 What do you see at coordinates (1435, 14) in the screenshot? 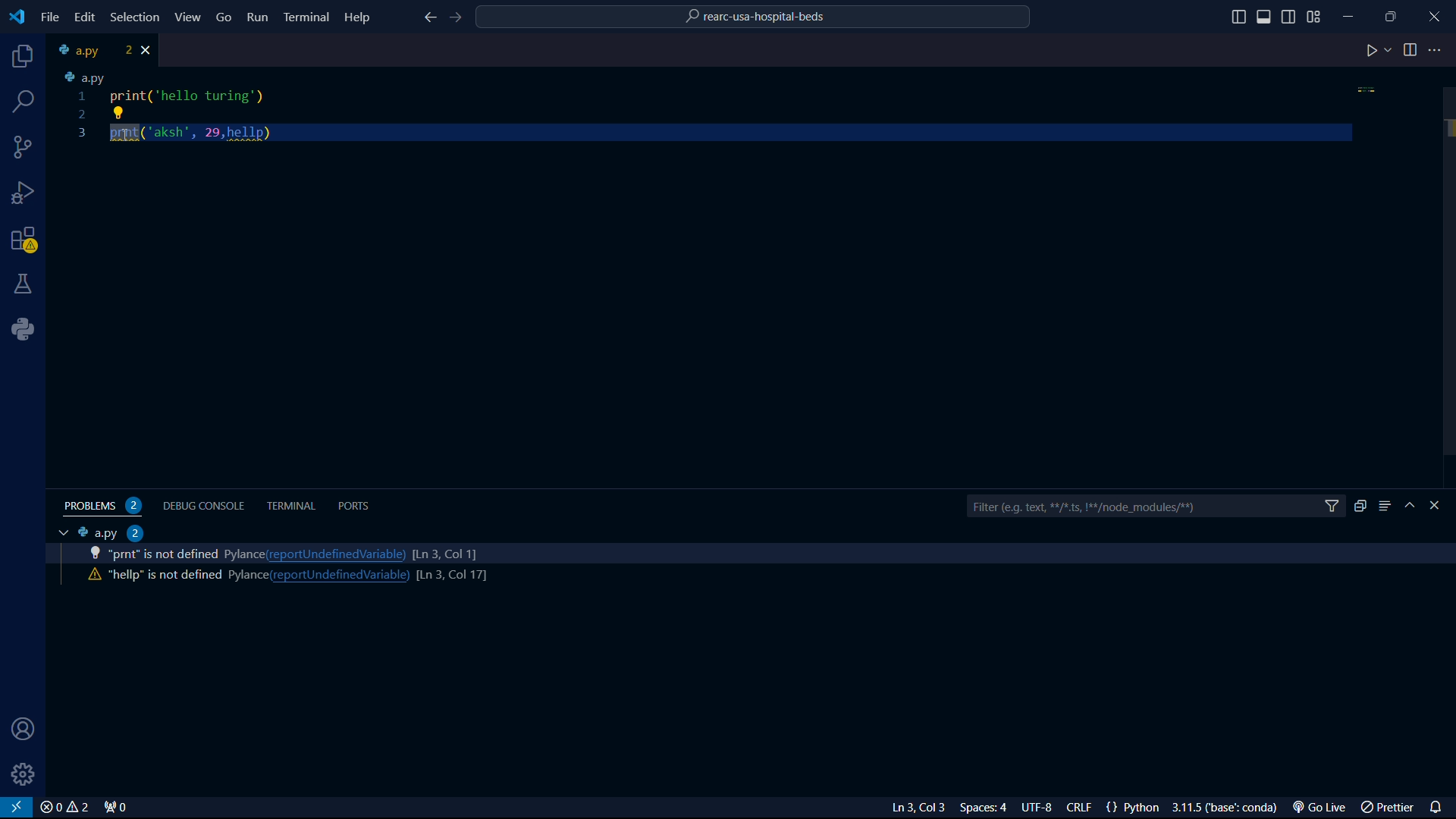
I see `close program` at bounding box center [1435, 14].